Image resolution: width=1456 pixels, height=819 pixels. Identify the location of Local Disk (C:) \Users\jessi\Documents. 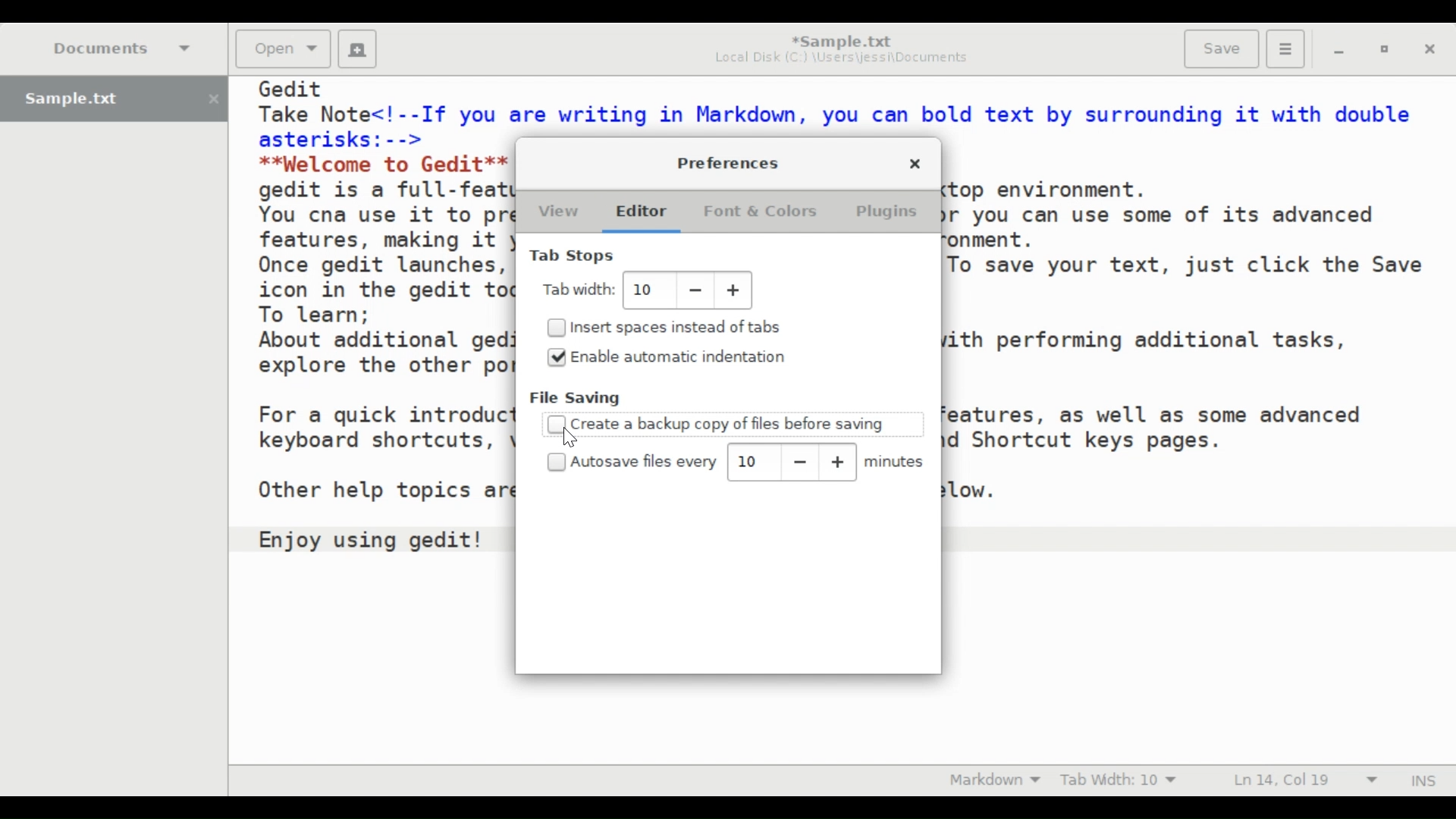
(841, 61).